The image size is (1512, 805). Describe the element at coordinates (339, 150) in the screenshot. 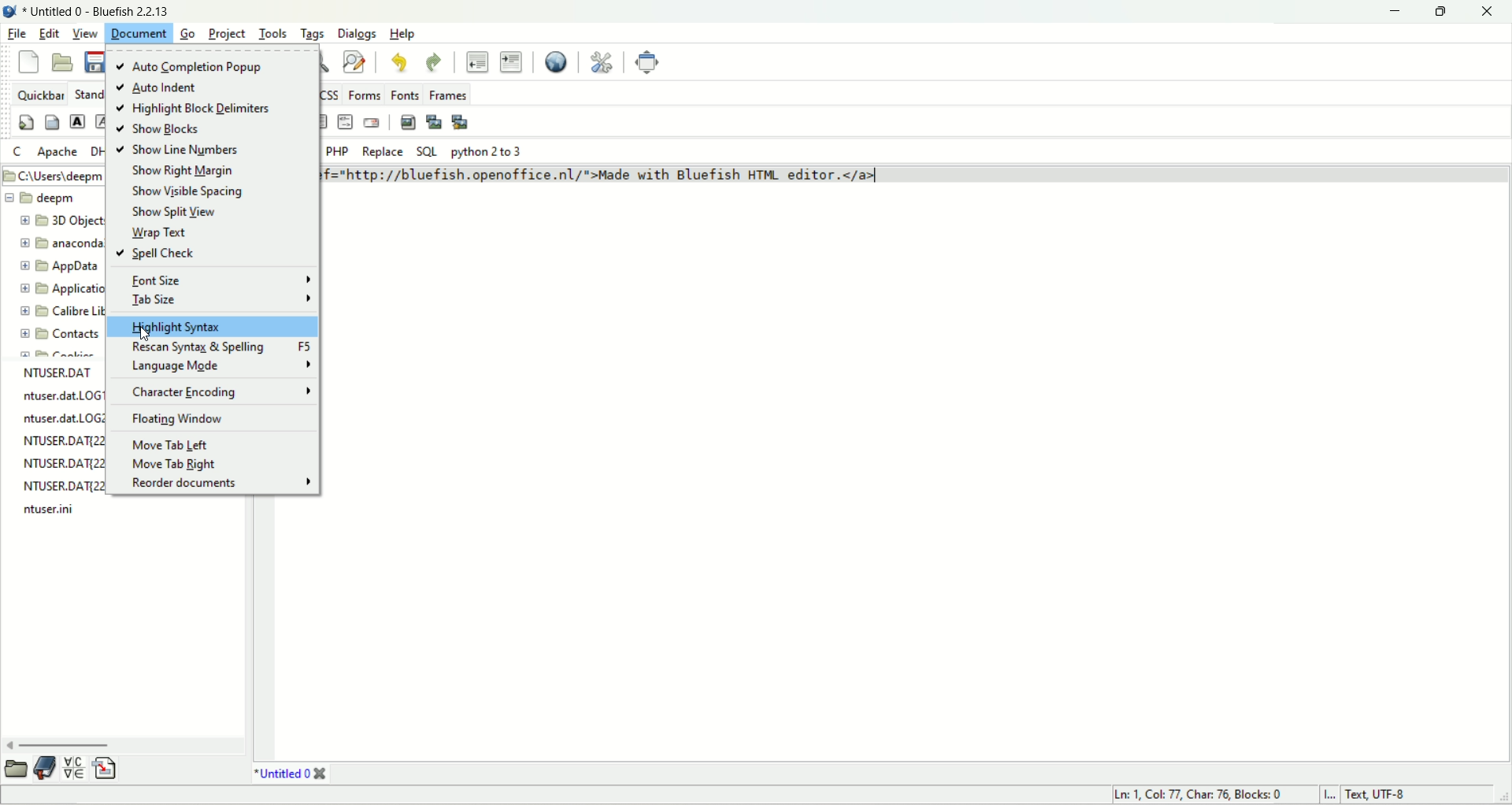

I see `PHP` at that location.